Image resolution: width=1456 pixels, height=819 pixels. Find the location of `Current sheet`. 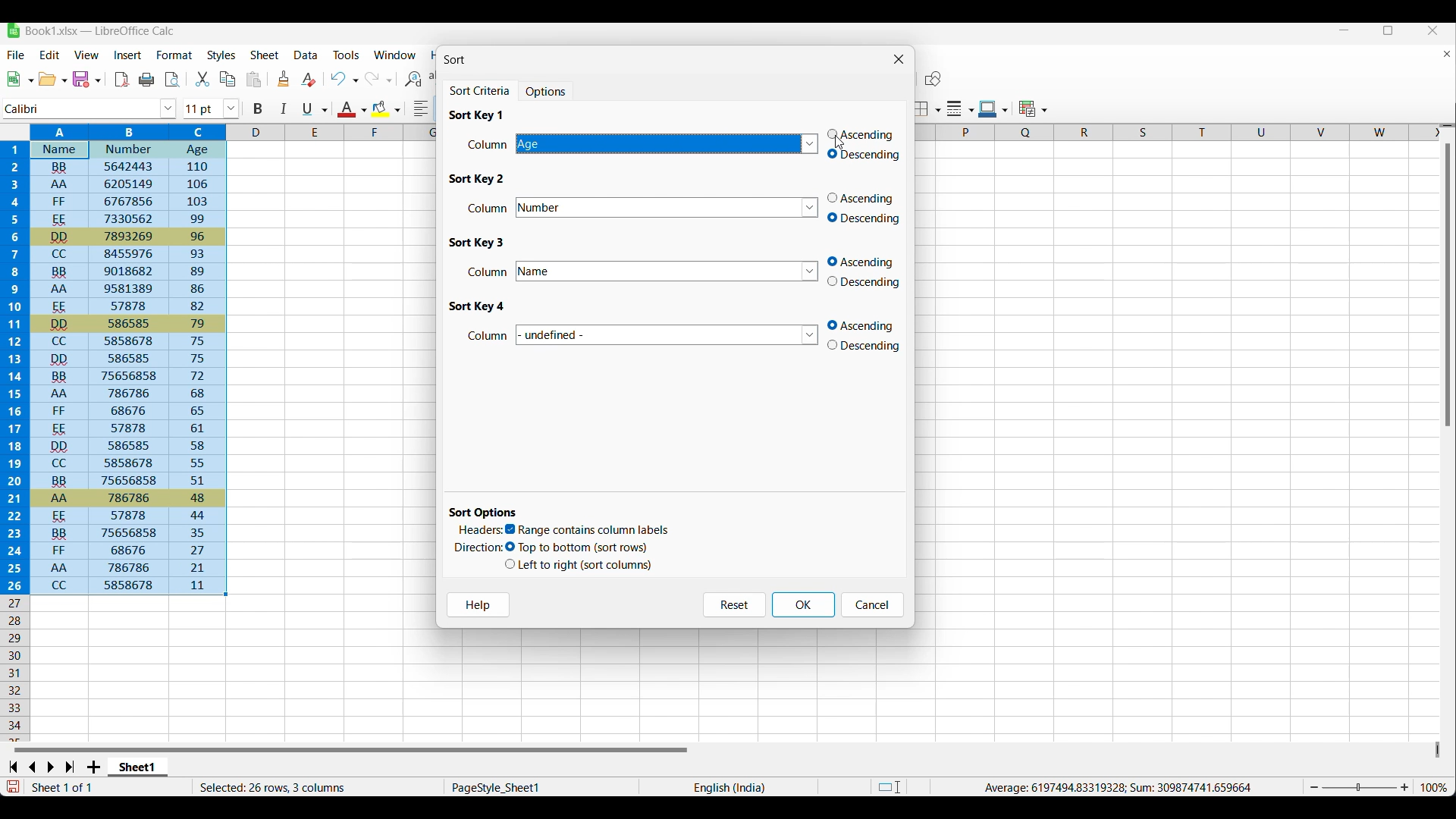

Current sheet is located at coordinates (138, 767).